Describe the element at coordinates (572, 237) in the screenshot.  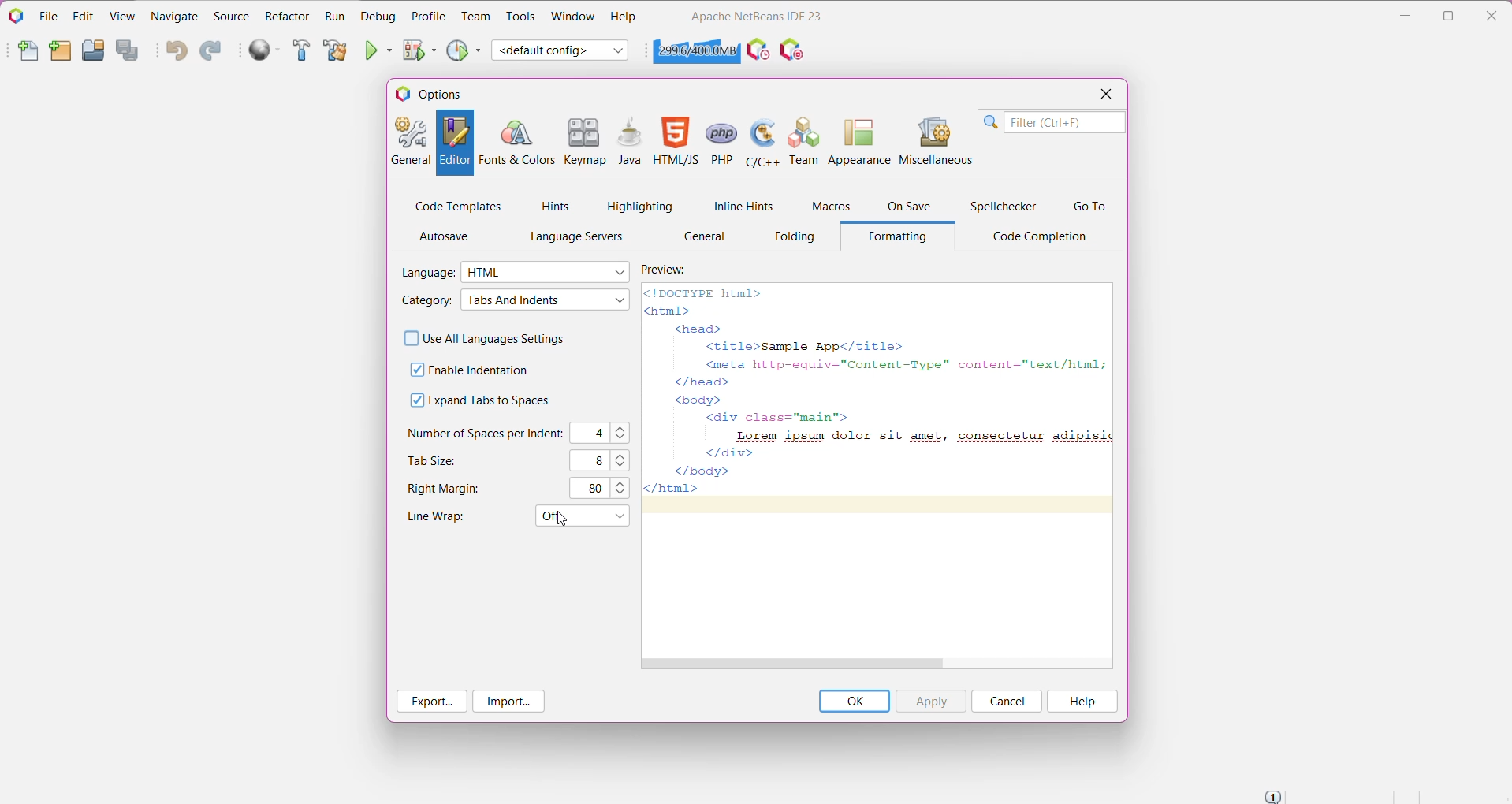
I see `Language Servers` at that location.